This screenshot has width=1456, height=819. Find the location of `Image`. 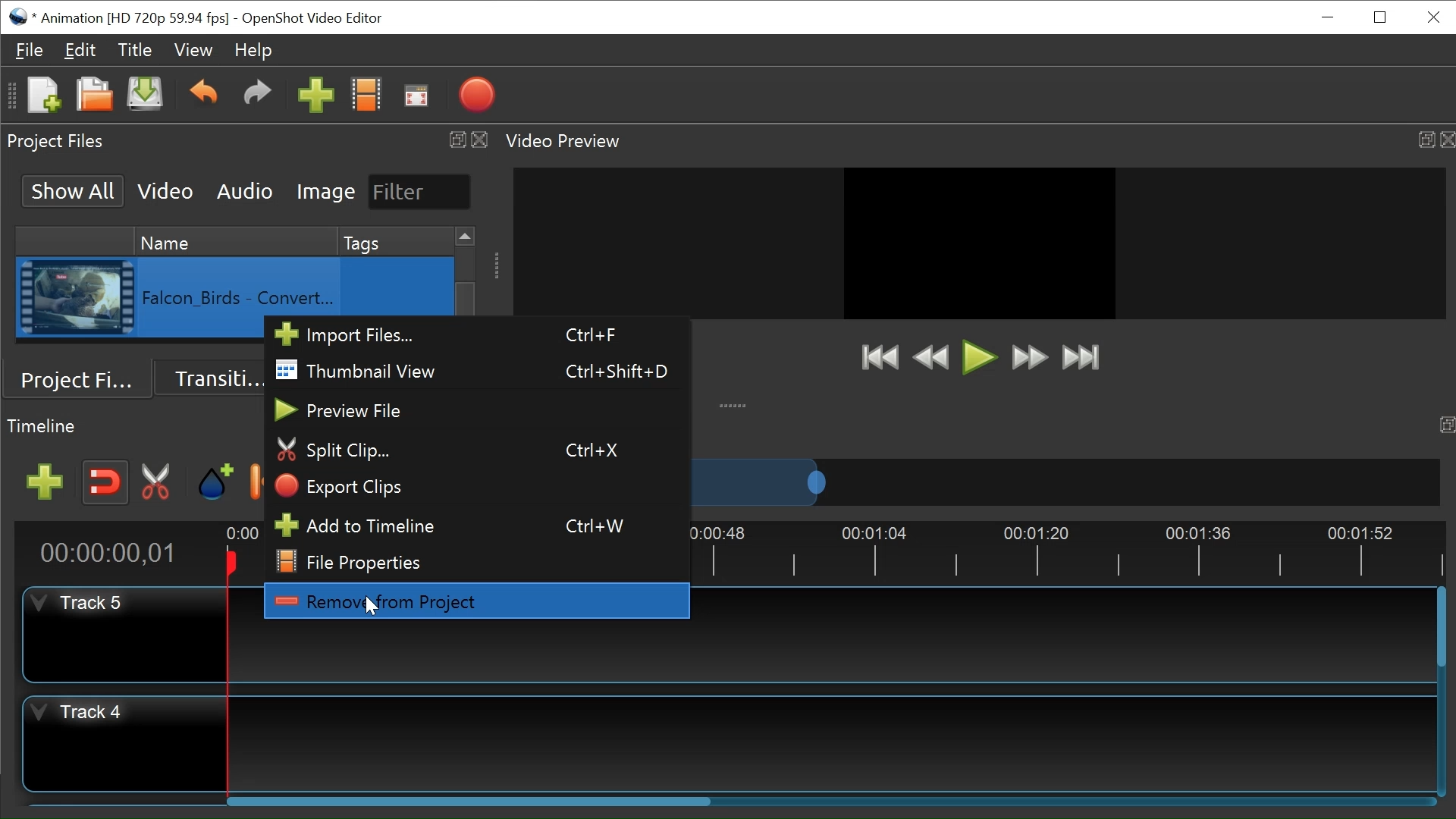

Image is located at coordinates (326, 191).